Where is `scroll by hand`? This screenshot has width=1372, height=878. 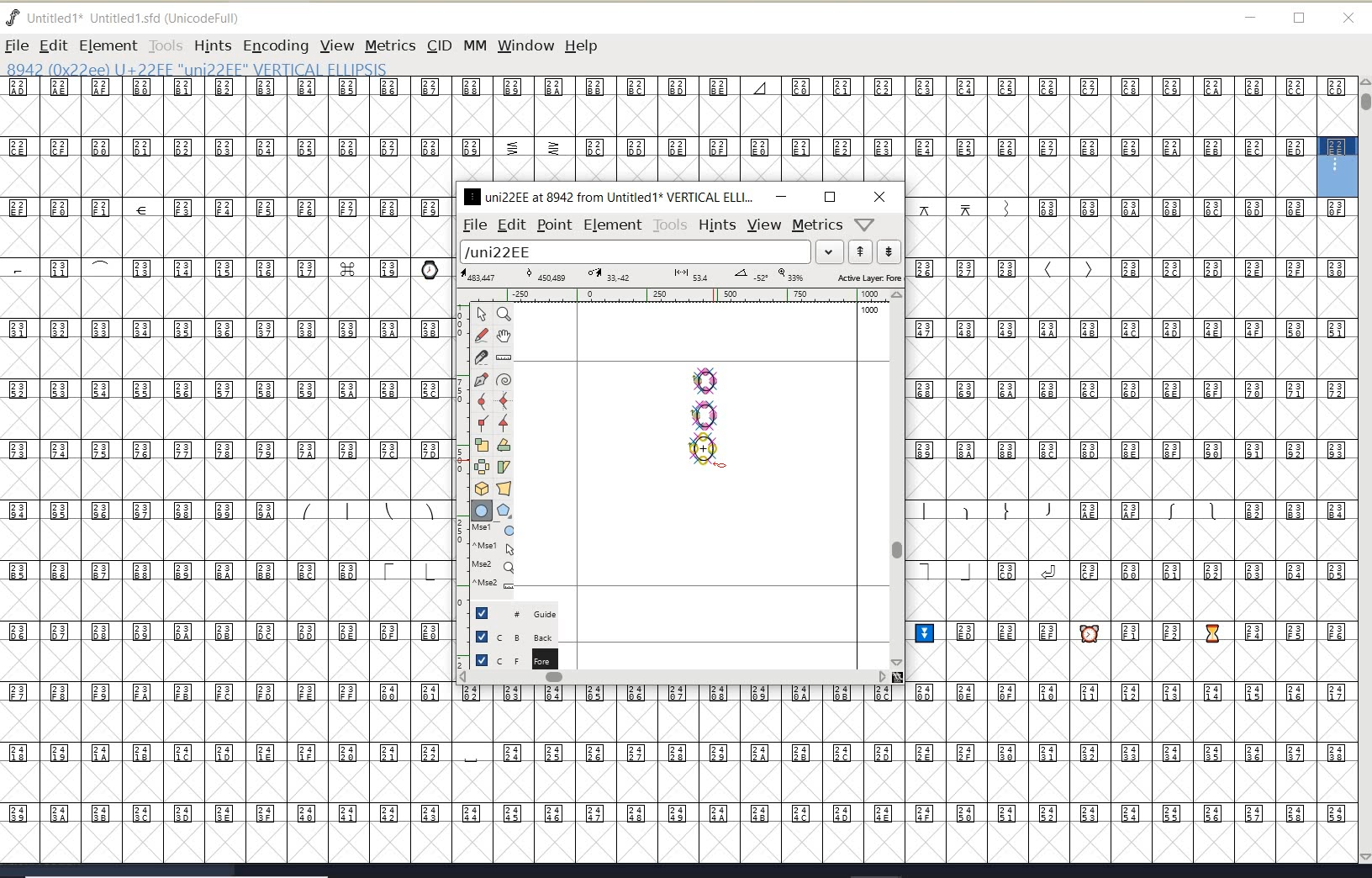 scroll by hand is located at coordinates (504, 337).